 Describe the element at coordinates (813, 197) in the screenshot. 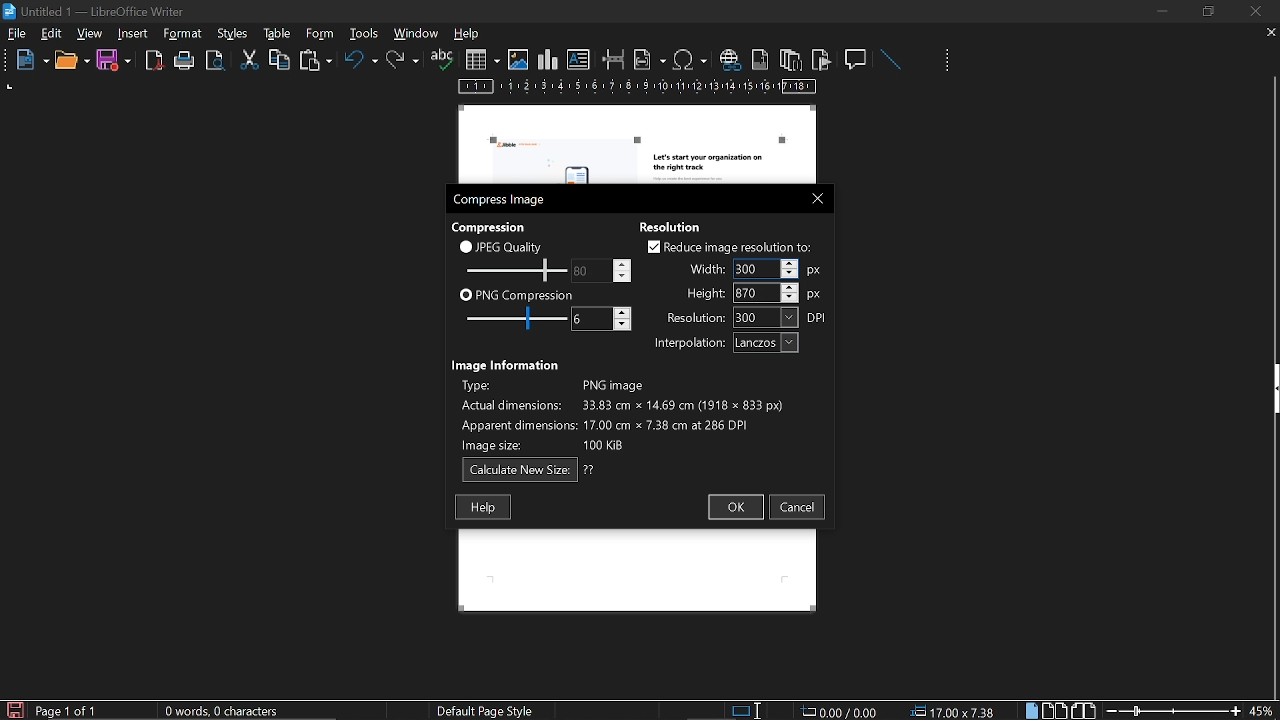

I see `close` at that location.